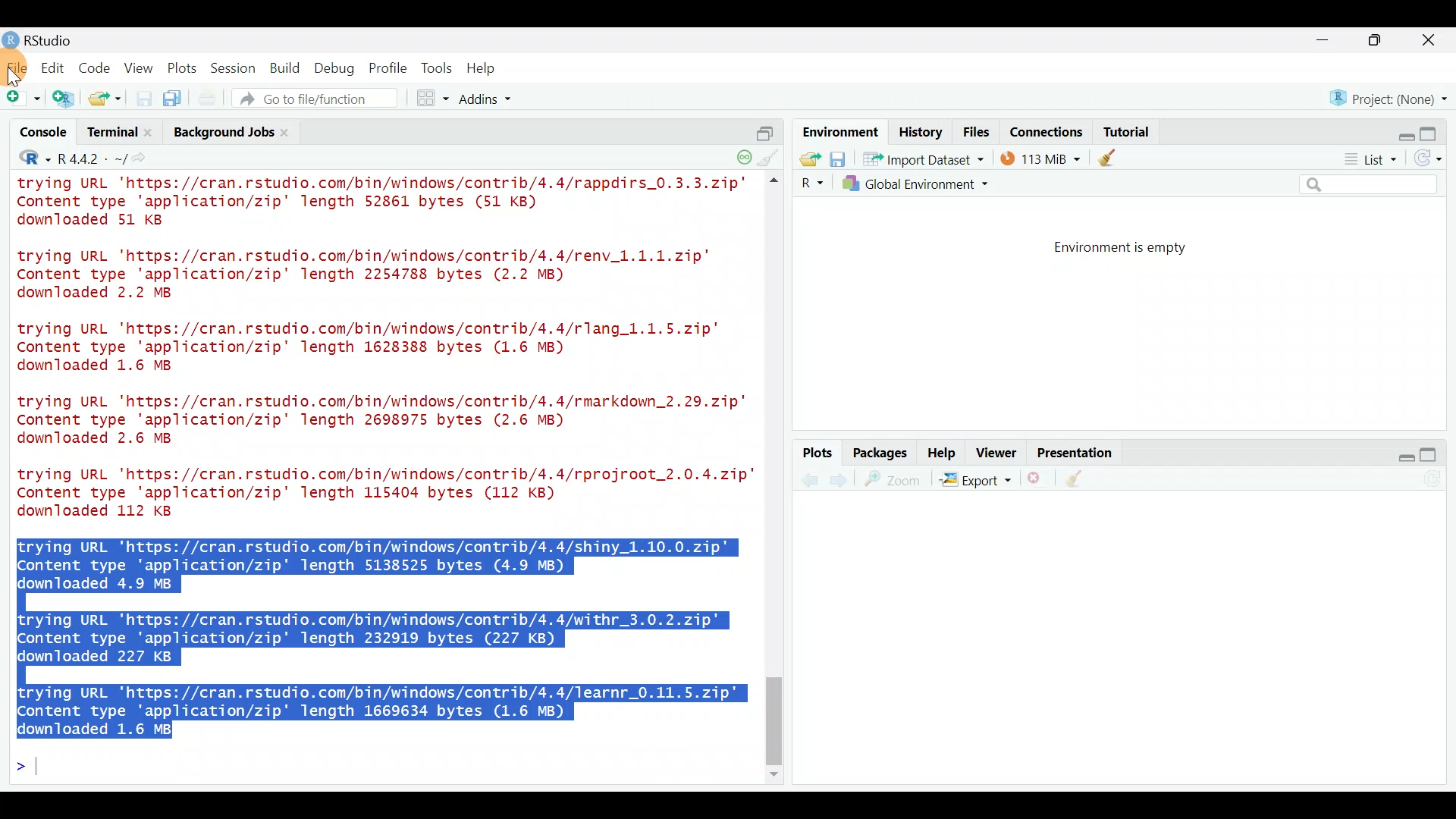  Describe the element at coordinates (1369, 160) in the screenshot. I see `List` at that location.